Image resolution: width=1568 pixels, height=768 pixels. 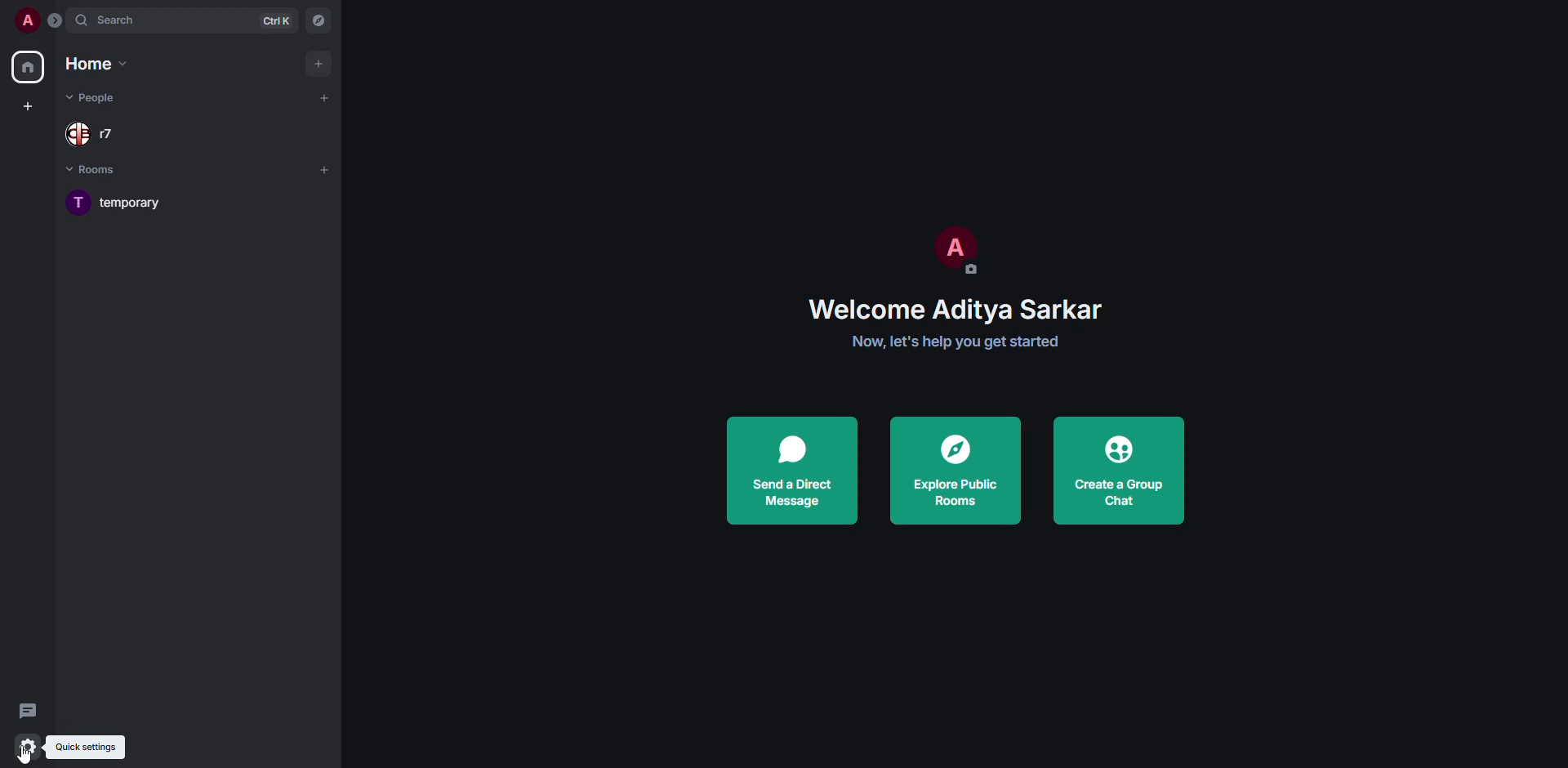 What do you see at coordinates (28, 19) in the screenshot?
I see `a` at bounding box center [28, 19].